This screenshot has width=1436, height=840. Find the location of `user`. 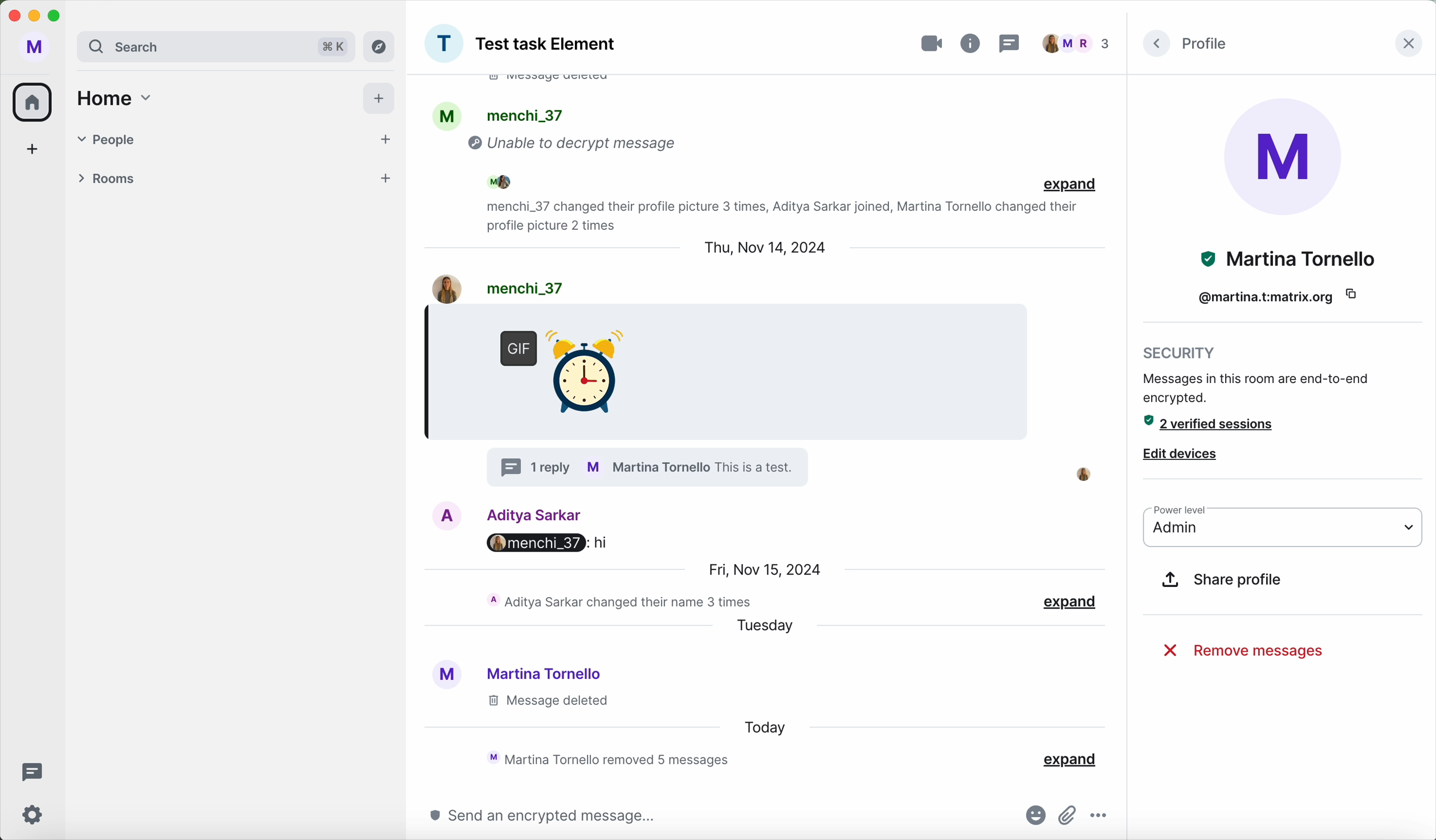

user is located at coordinates (520, 286).